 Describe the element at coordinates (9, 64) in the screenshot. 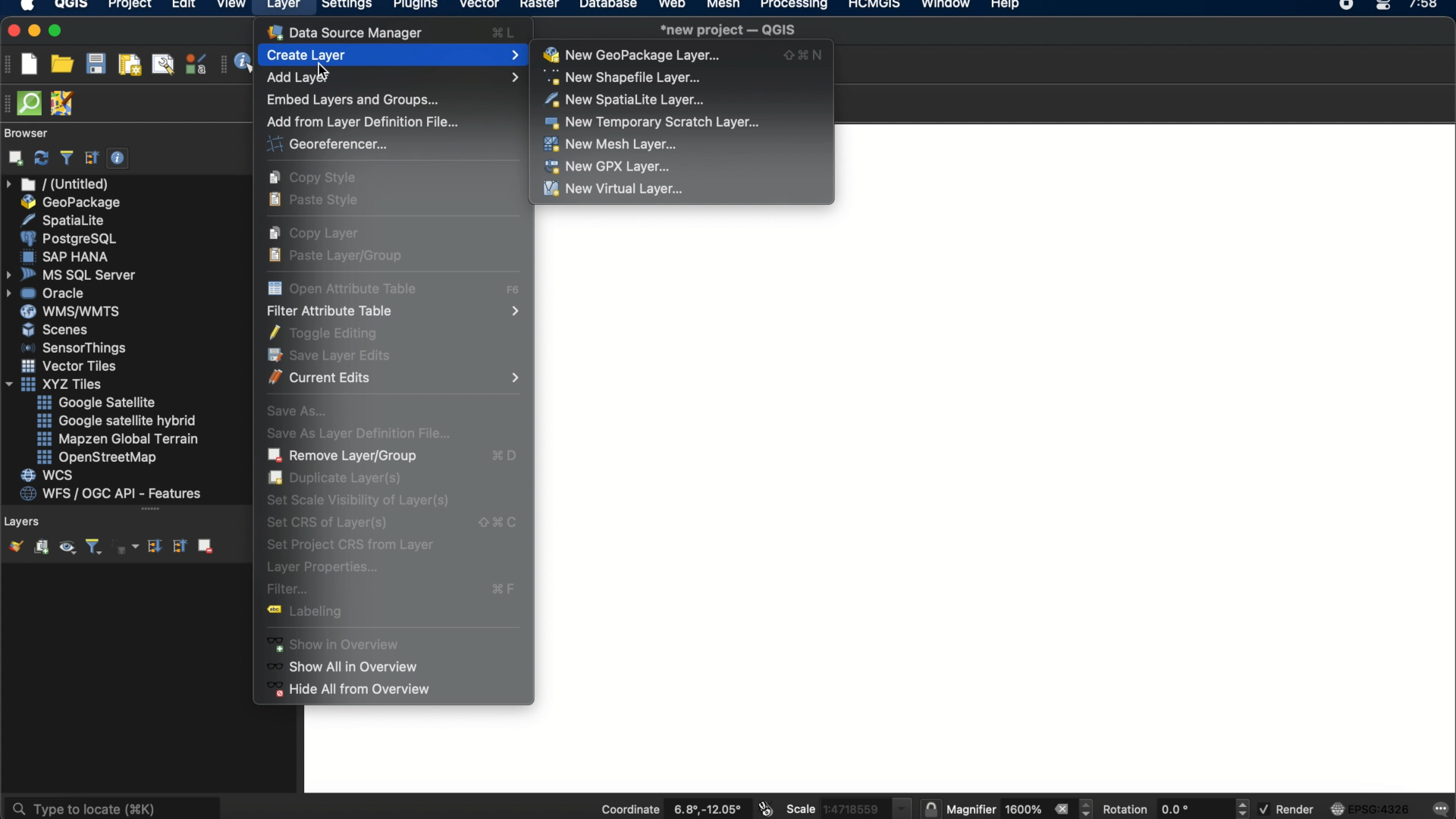

I see `project toolbar` at that location.